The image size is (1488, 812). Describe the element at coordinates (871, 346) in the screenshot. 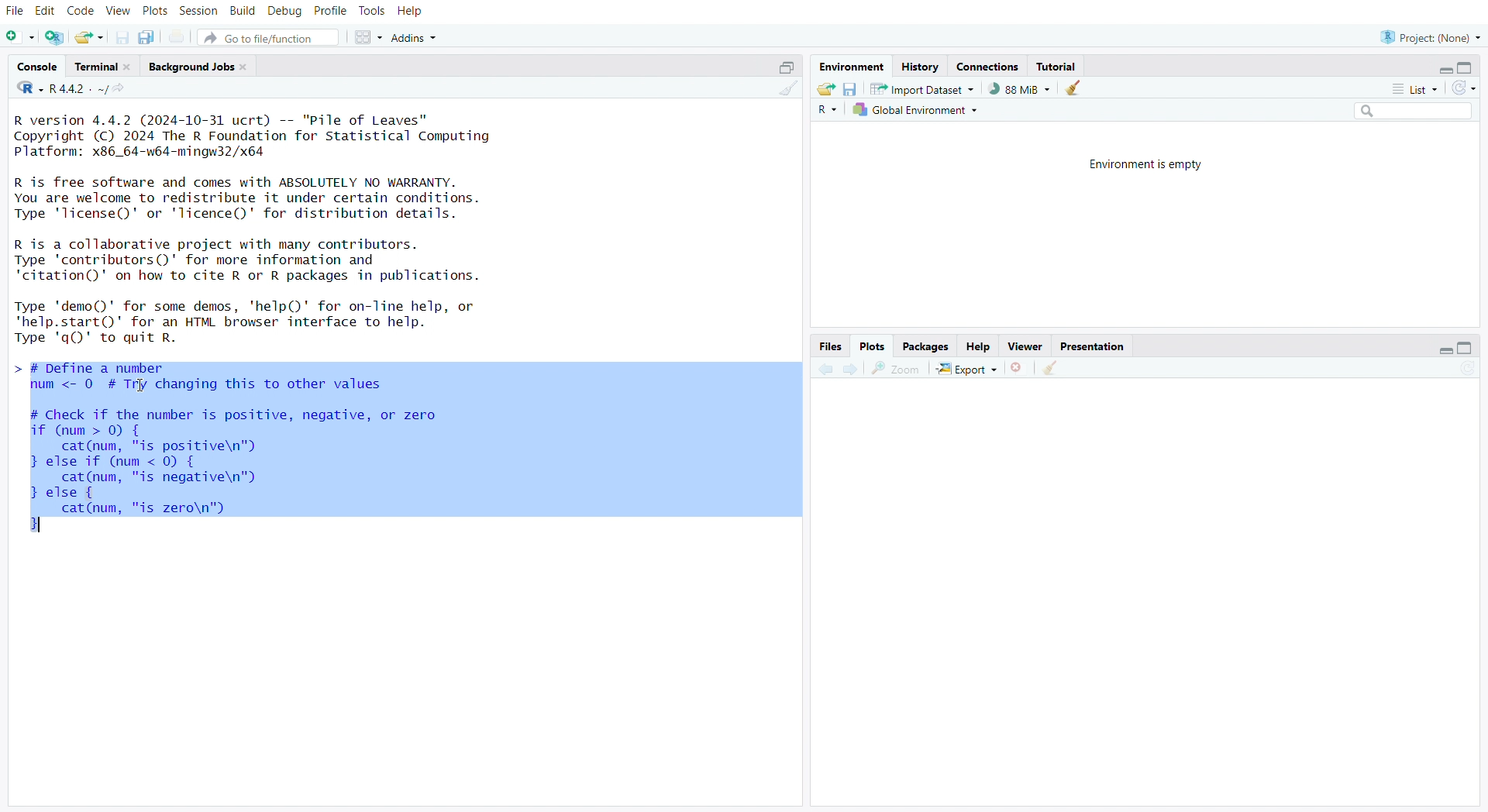

I see `plots` at that location.